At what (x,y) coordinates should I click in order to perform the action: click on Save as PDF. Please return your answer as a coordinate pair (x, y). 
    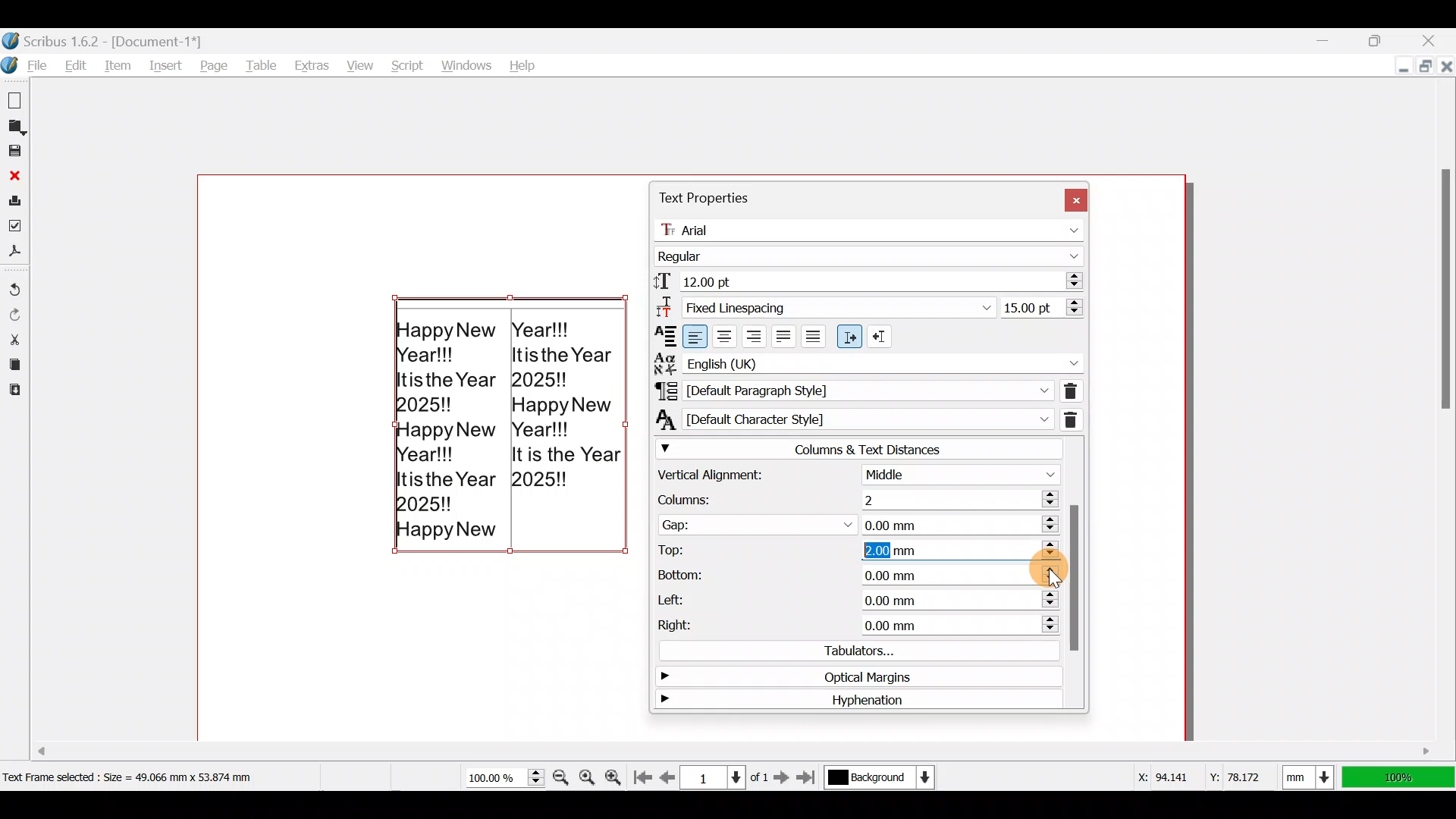
    Looking at the image, I should click on (17, 254).